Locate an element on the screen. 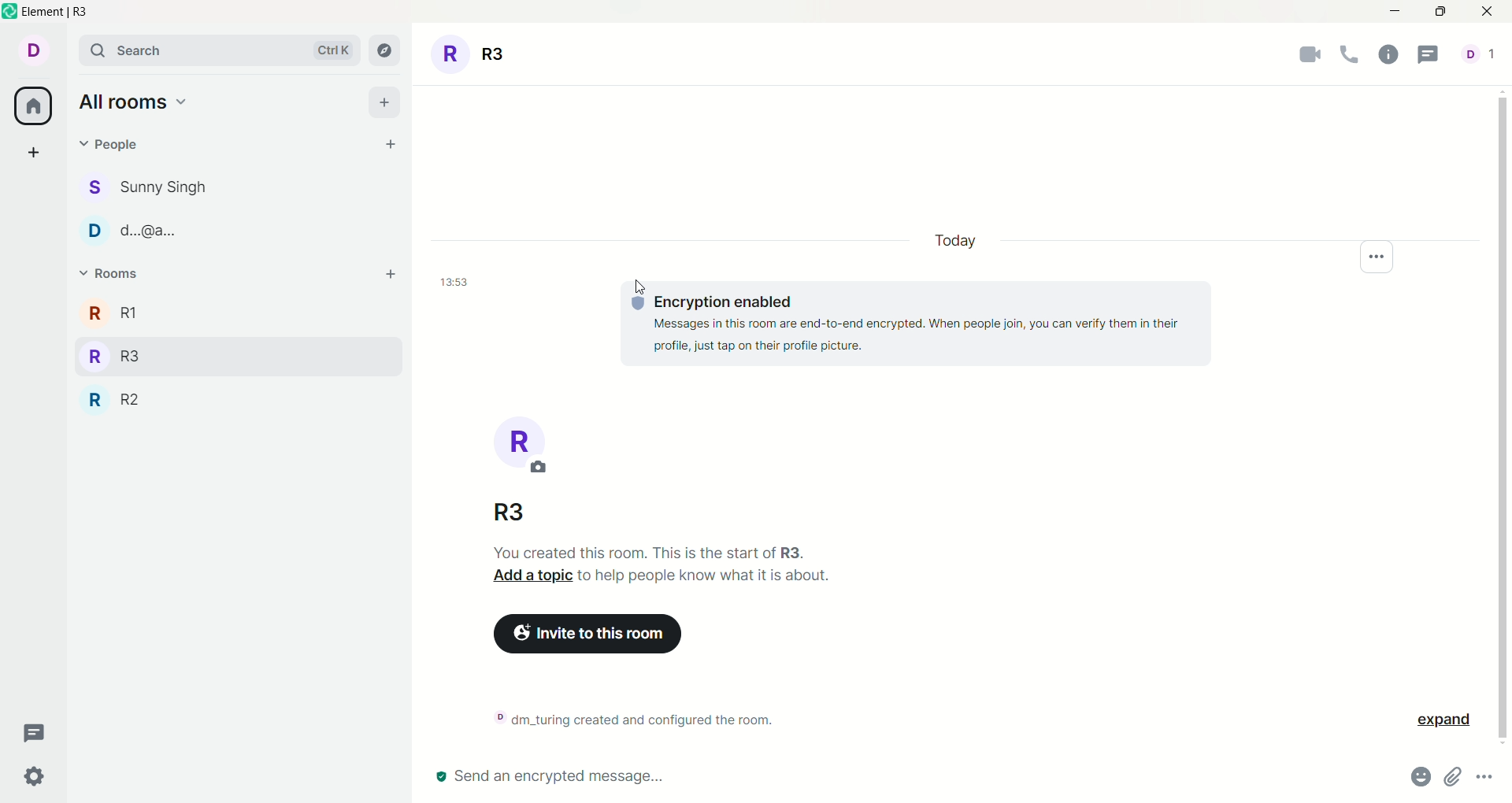 Image resolution: width=1512 pixels, height=803 pixels. send encrypted message is located at coordinates (542, 777).